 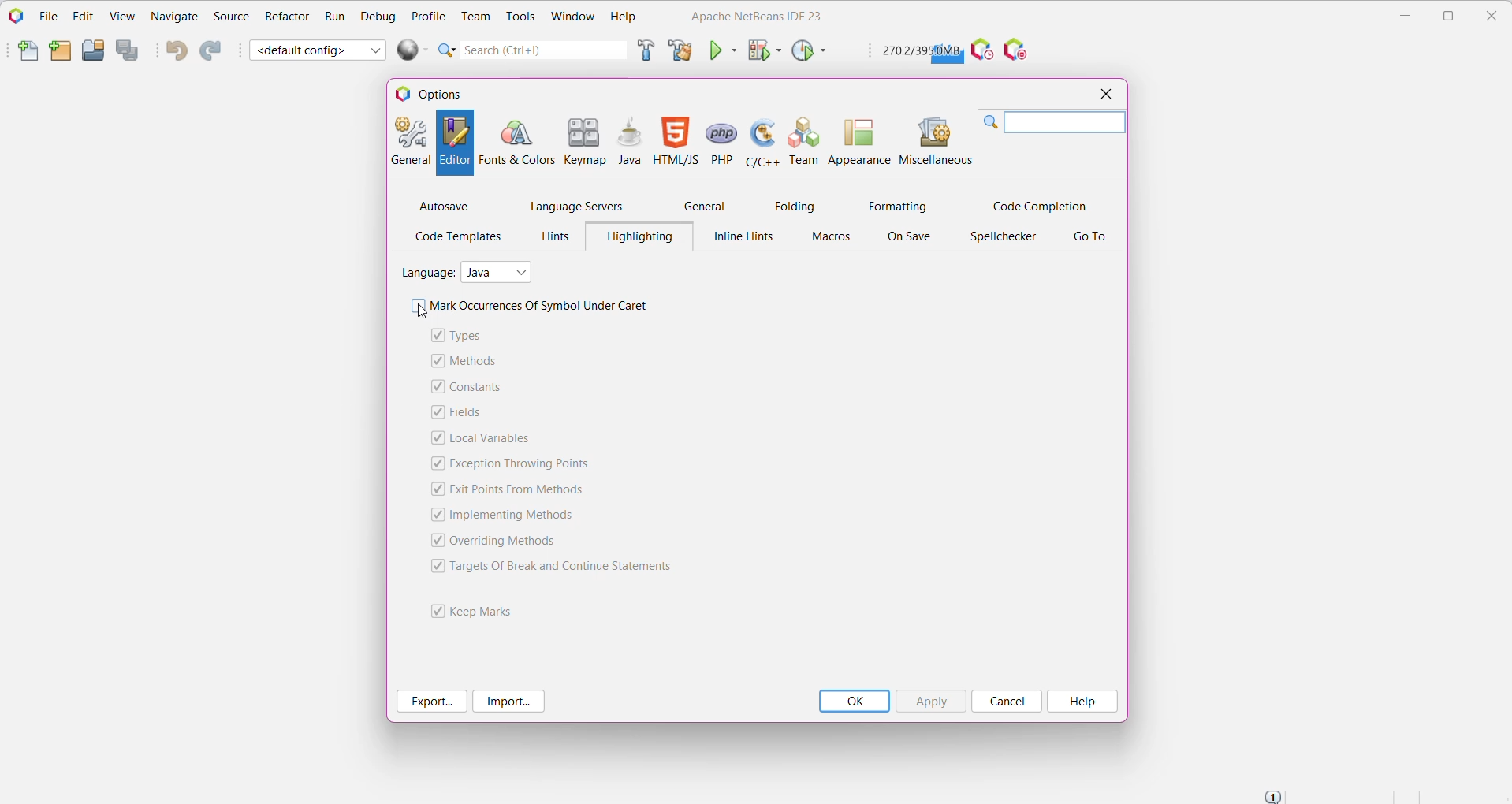 What do you see at coordinates (1104, 95) in the screenshot?
I see `Close` at bounding box center [1104, 95].